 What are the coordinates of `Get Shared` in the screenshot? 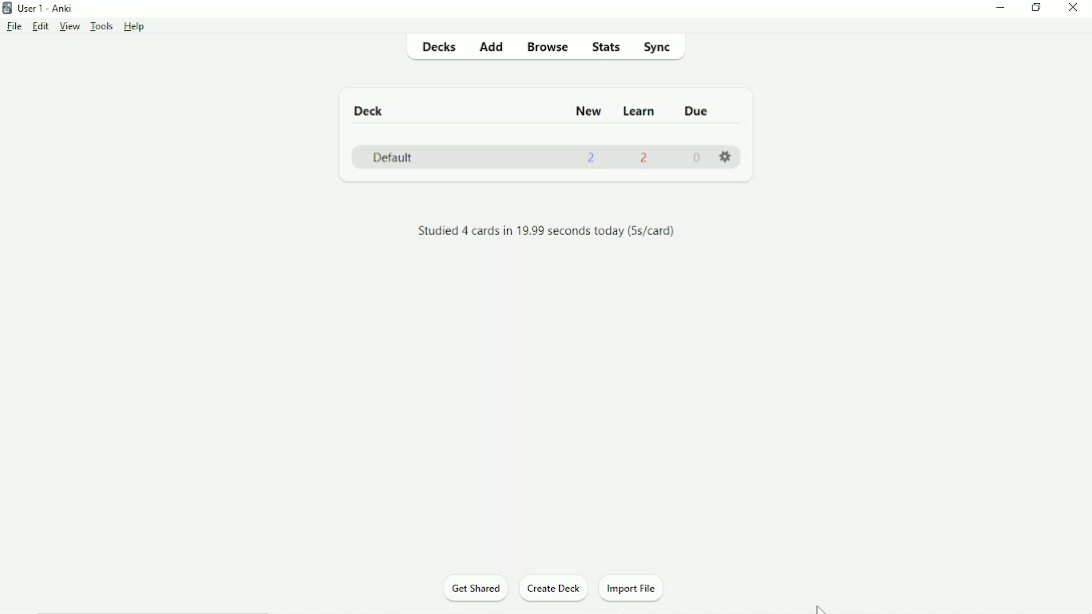 It's located at (476, 587).